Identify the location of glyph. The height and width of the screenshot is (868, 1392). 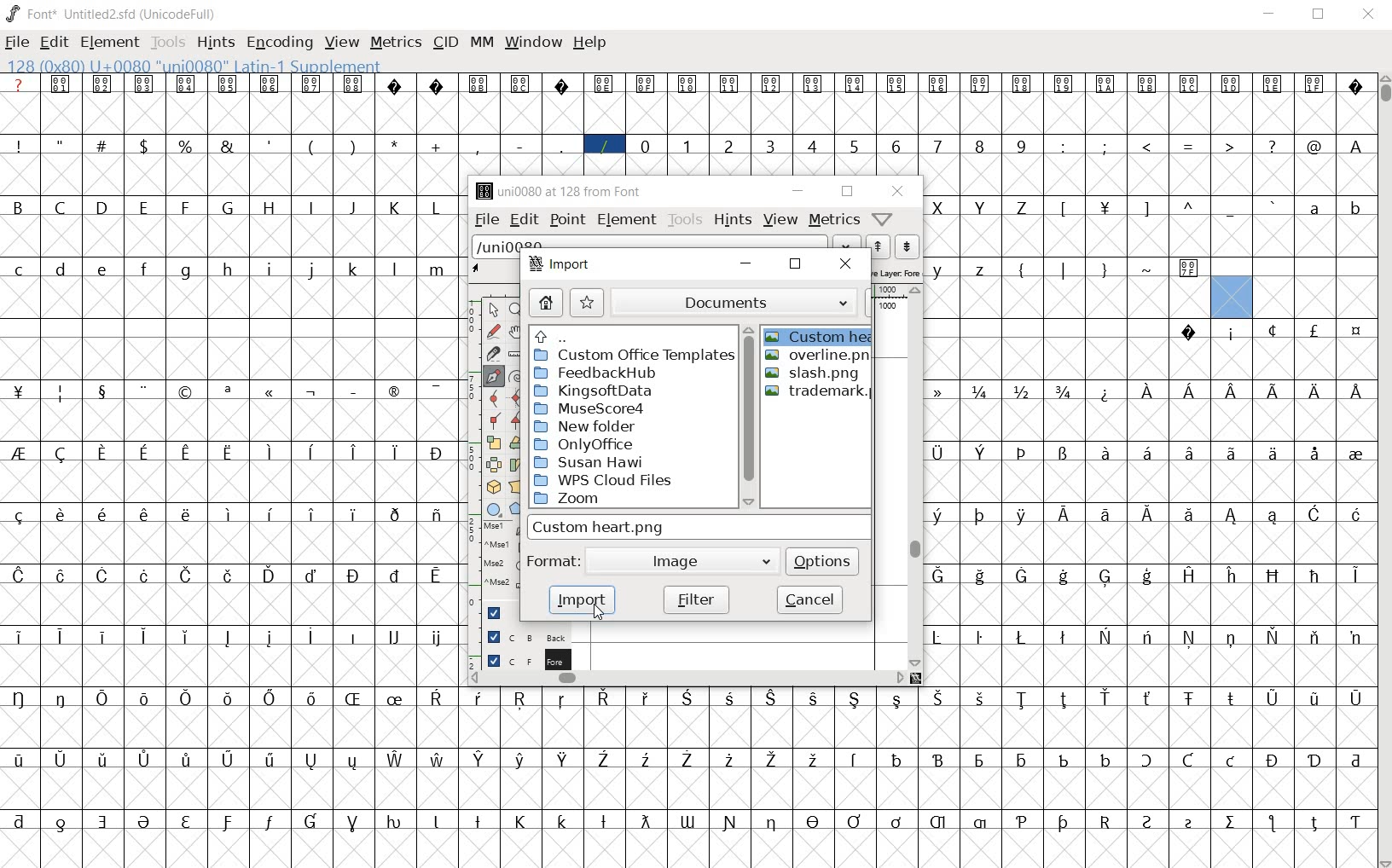
(185, 146).